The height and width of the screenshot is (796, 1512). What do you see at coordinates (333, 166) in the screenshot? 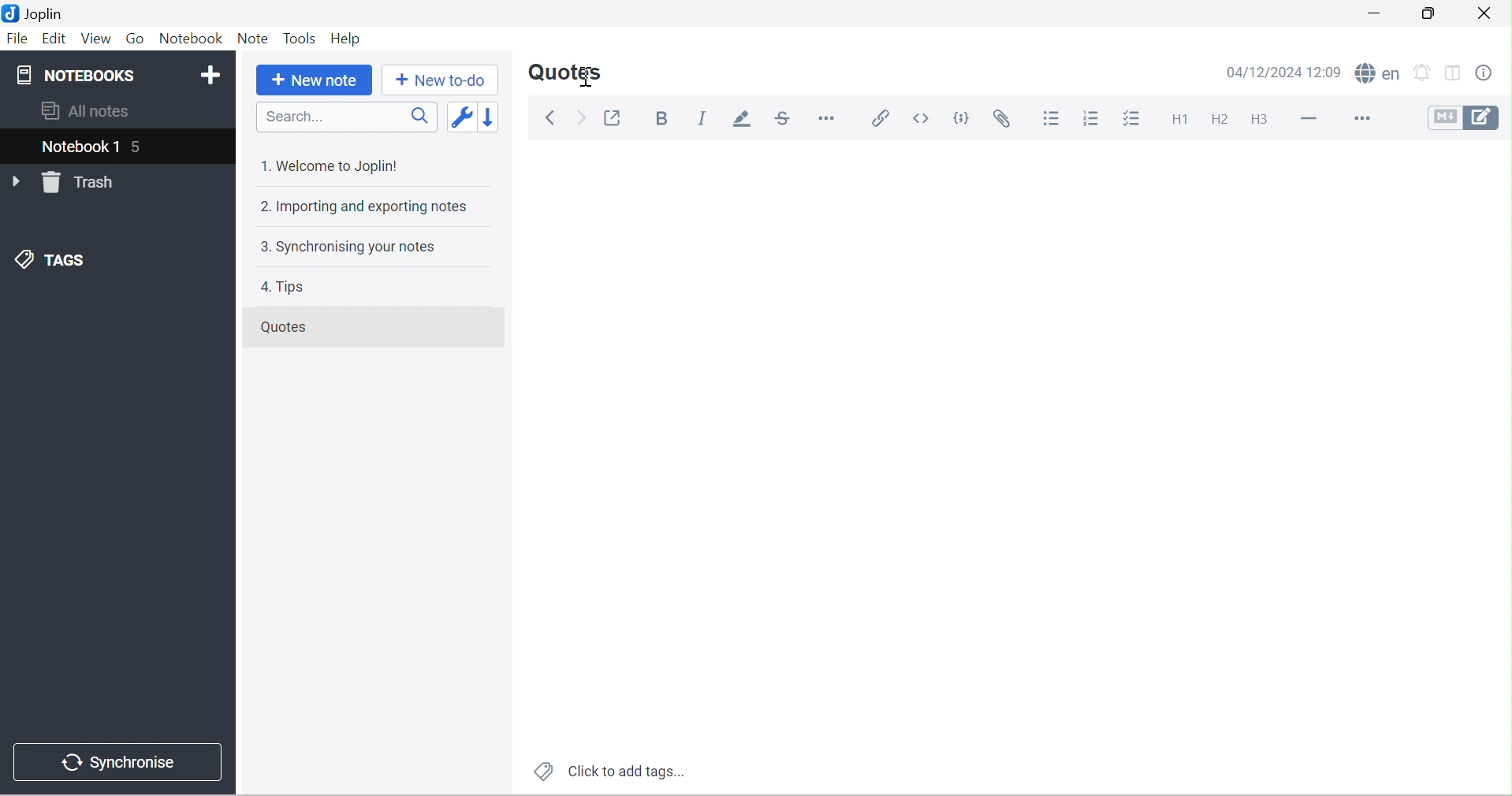
I see `1. Welcome to Joplin!` at bounding box center [333, 166].